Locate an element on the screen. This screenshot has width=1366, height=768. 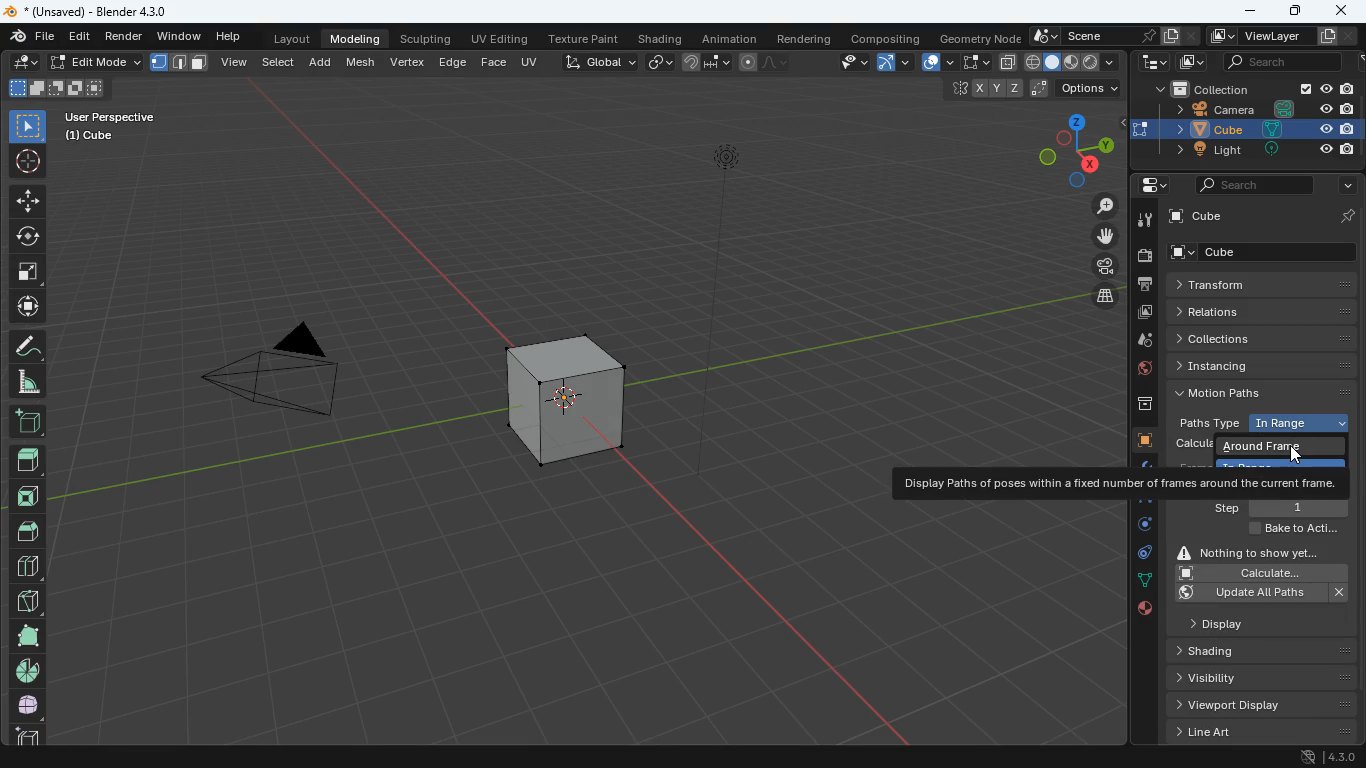
face is located at coordinates (495, 63).